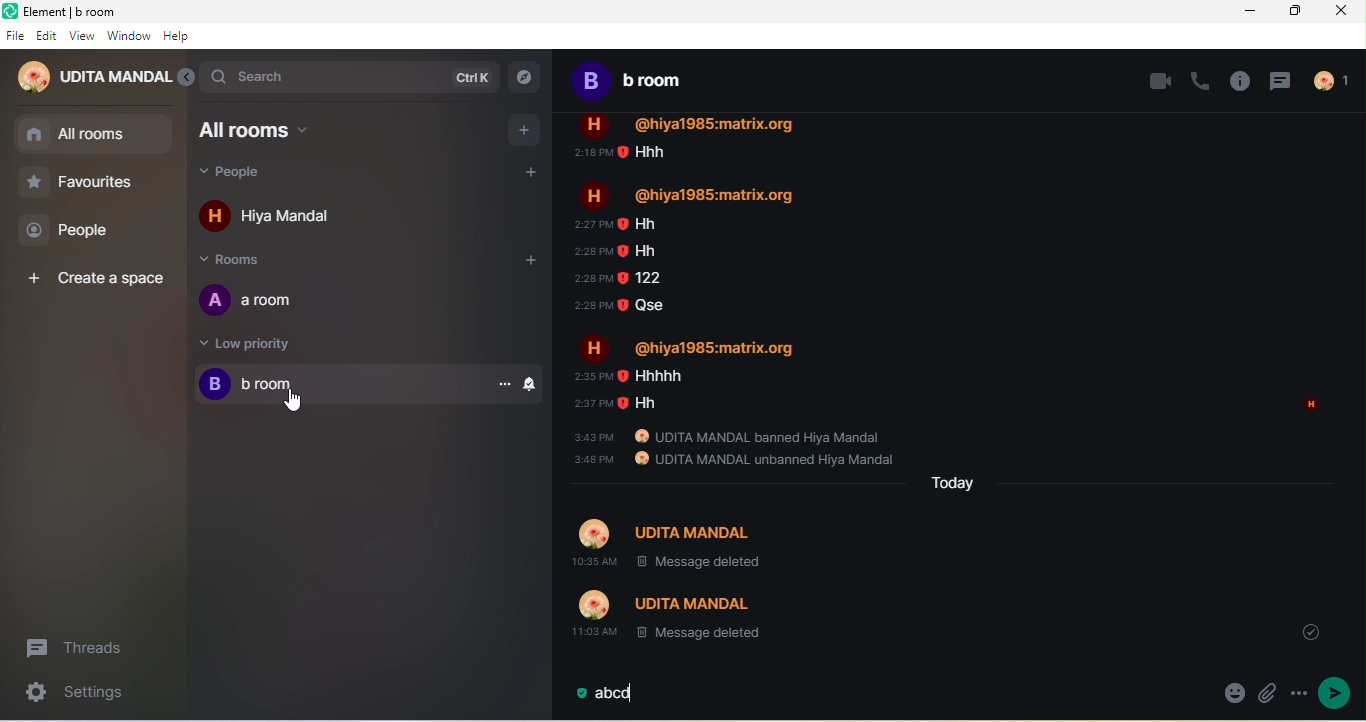 This screenshot has width=1366, height=722. What do you see at coordinates (180, 38) in the screenshot?
I see `help` at bounding box center [180, 38].